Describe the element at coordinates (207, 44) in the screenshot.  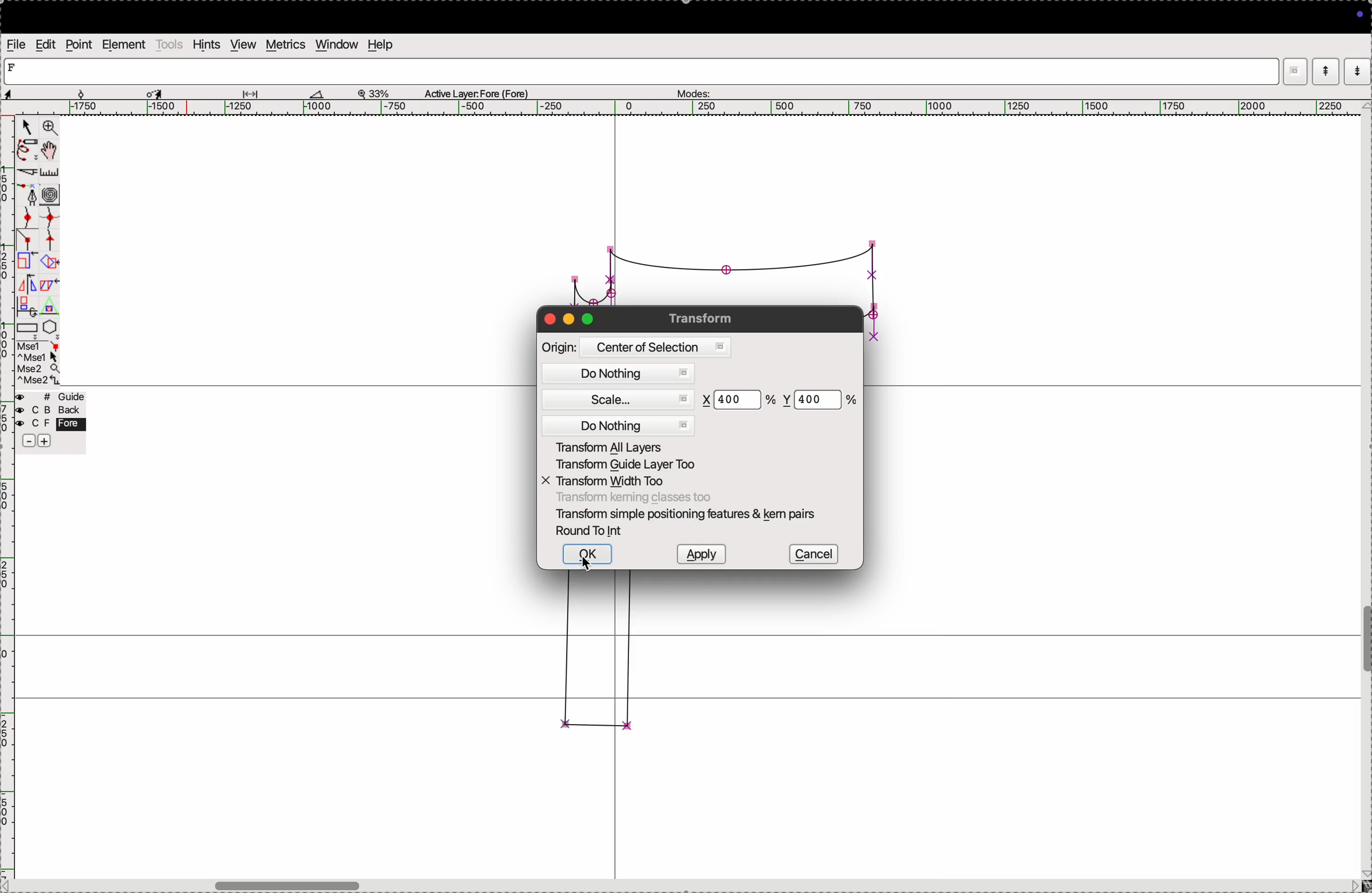
I see `hints` at that location.